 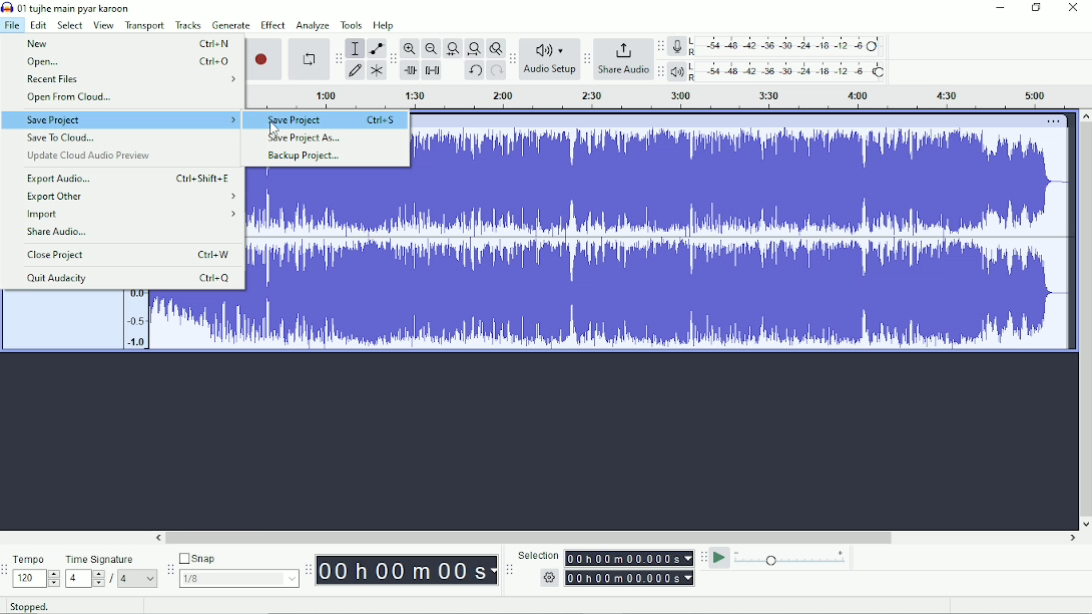 What do you see at coordinates (131, 215) in the screenshot?
I see `Import` at bounding box center [131, 215].